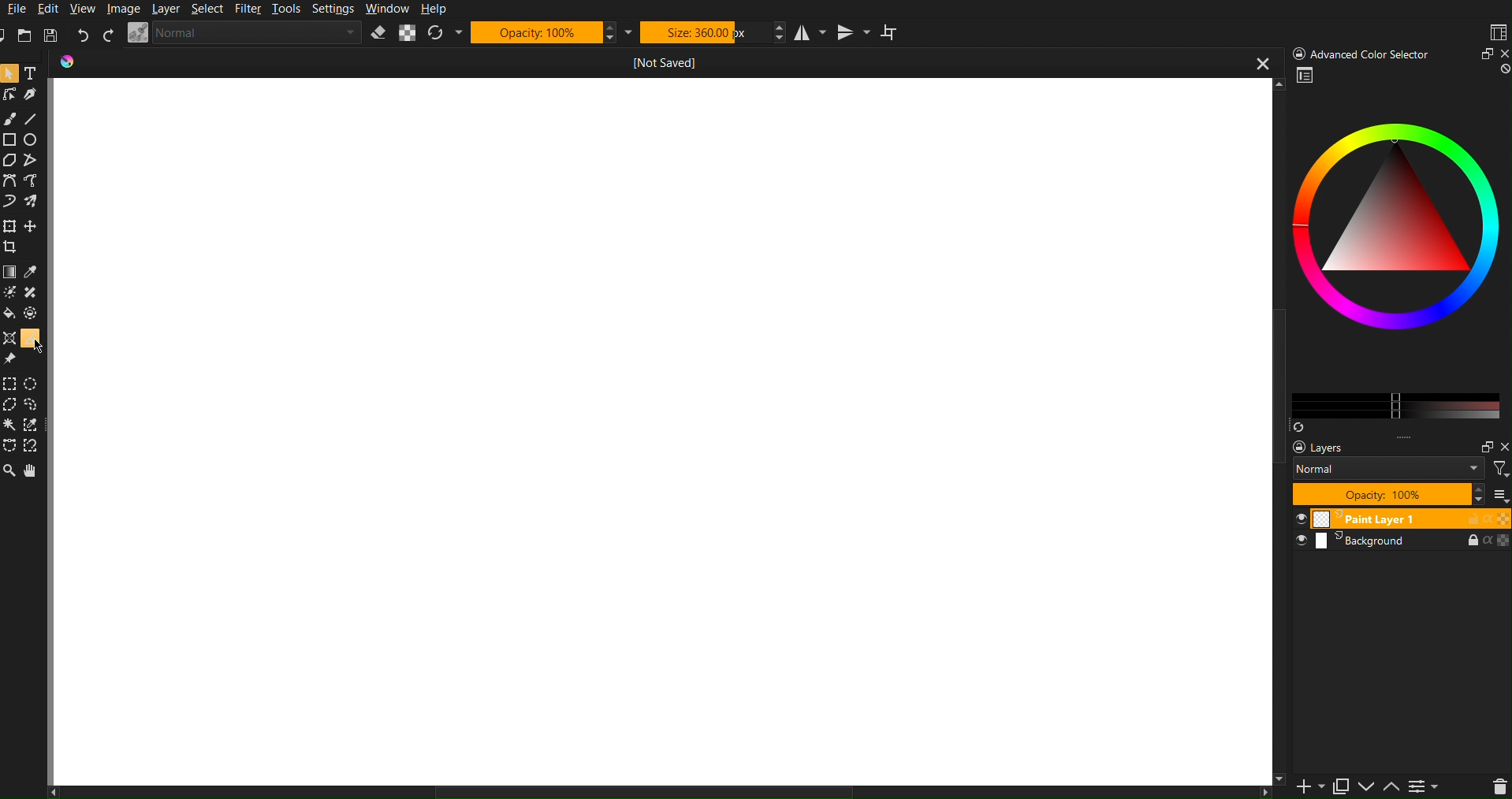 The image size is (1512, 799). What do you see at coordinates (11, 358) in the screenshot?
I see `Pin Tool` at bounding box center [11, 358].